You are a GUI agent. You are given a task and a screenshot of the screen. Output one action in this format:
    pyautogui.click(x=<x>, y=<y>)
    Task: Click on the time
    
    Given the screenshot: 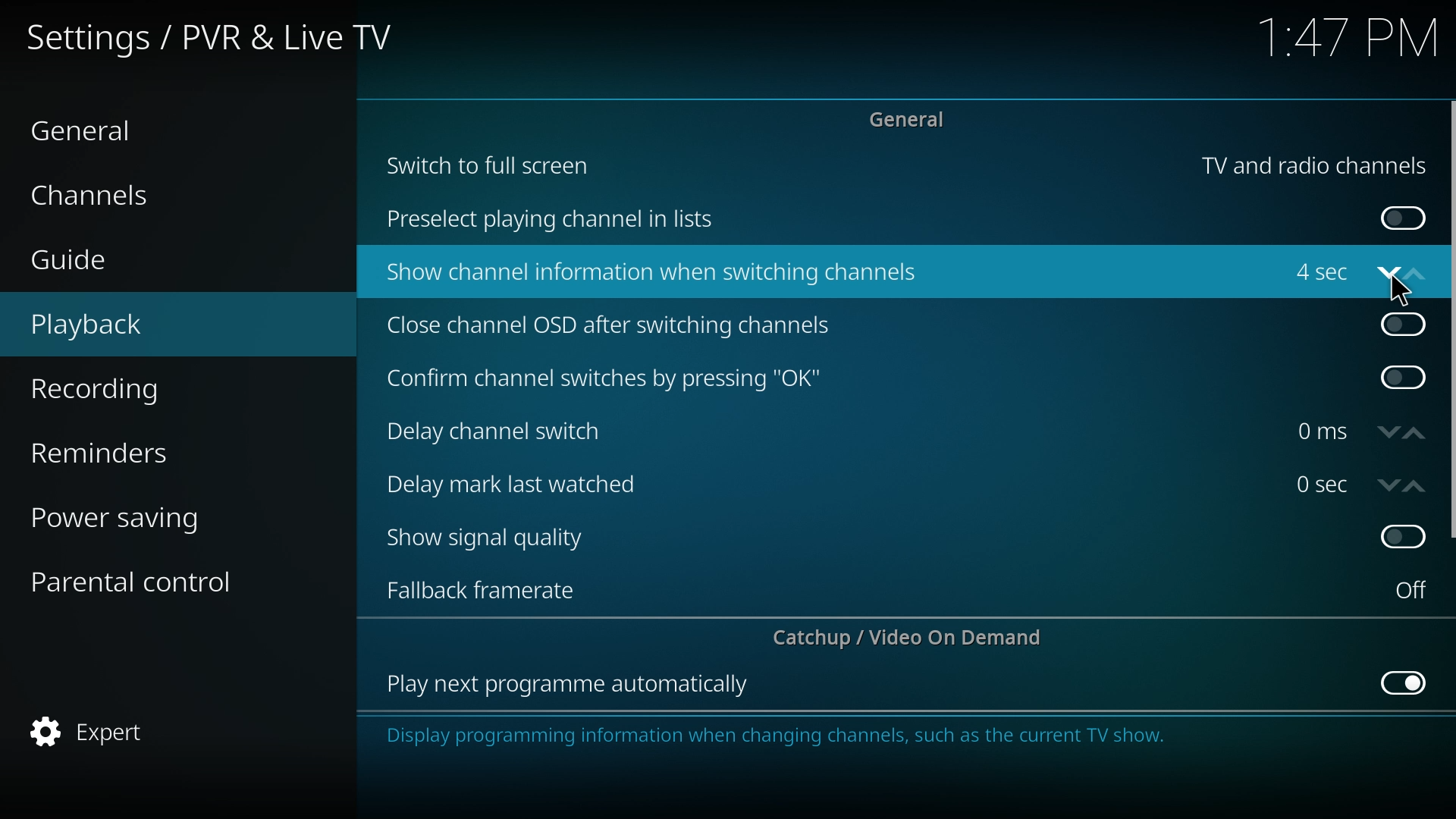 What is the action you would take?
    pyautogui.click(x=1322, y=484)
    